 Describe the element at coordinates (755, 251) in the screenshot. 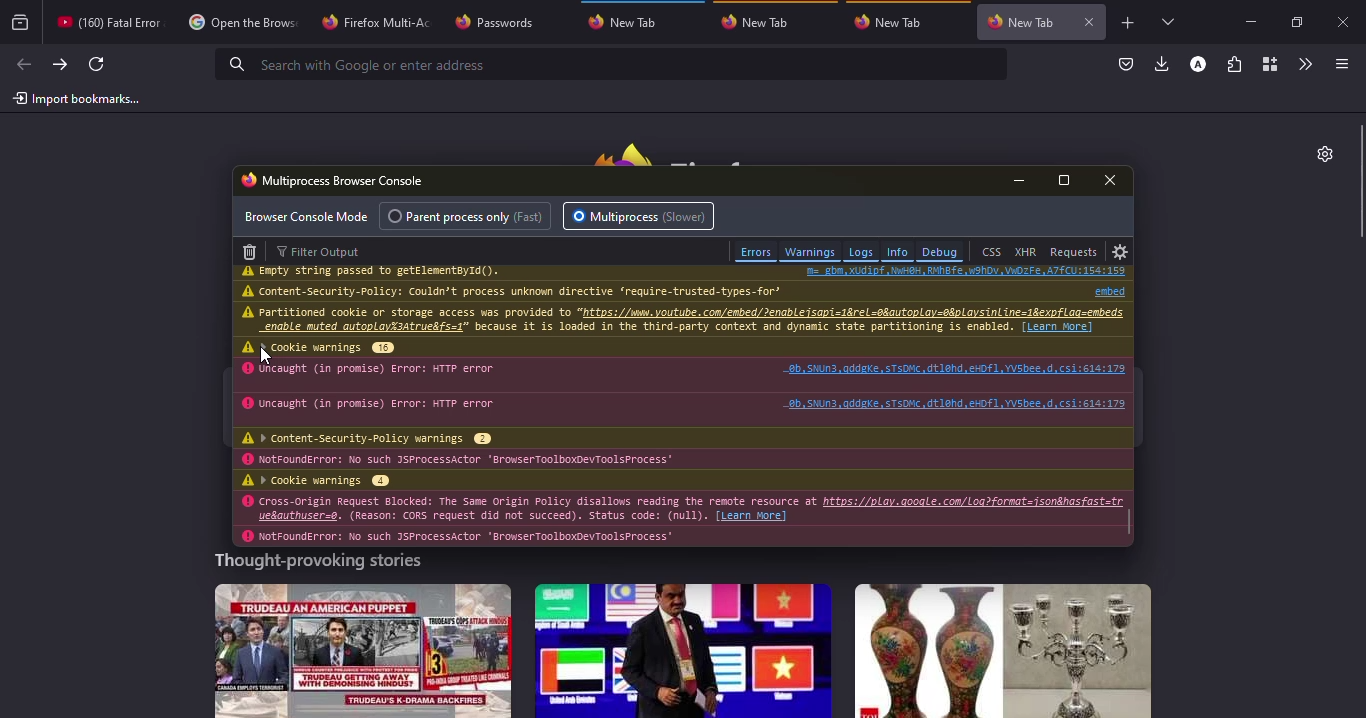

I see `errors` at that location.